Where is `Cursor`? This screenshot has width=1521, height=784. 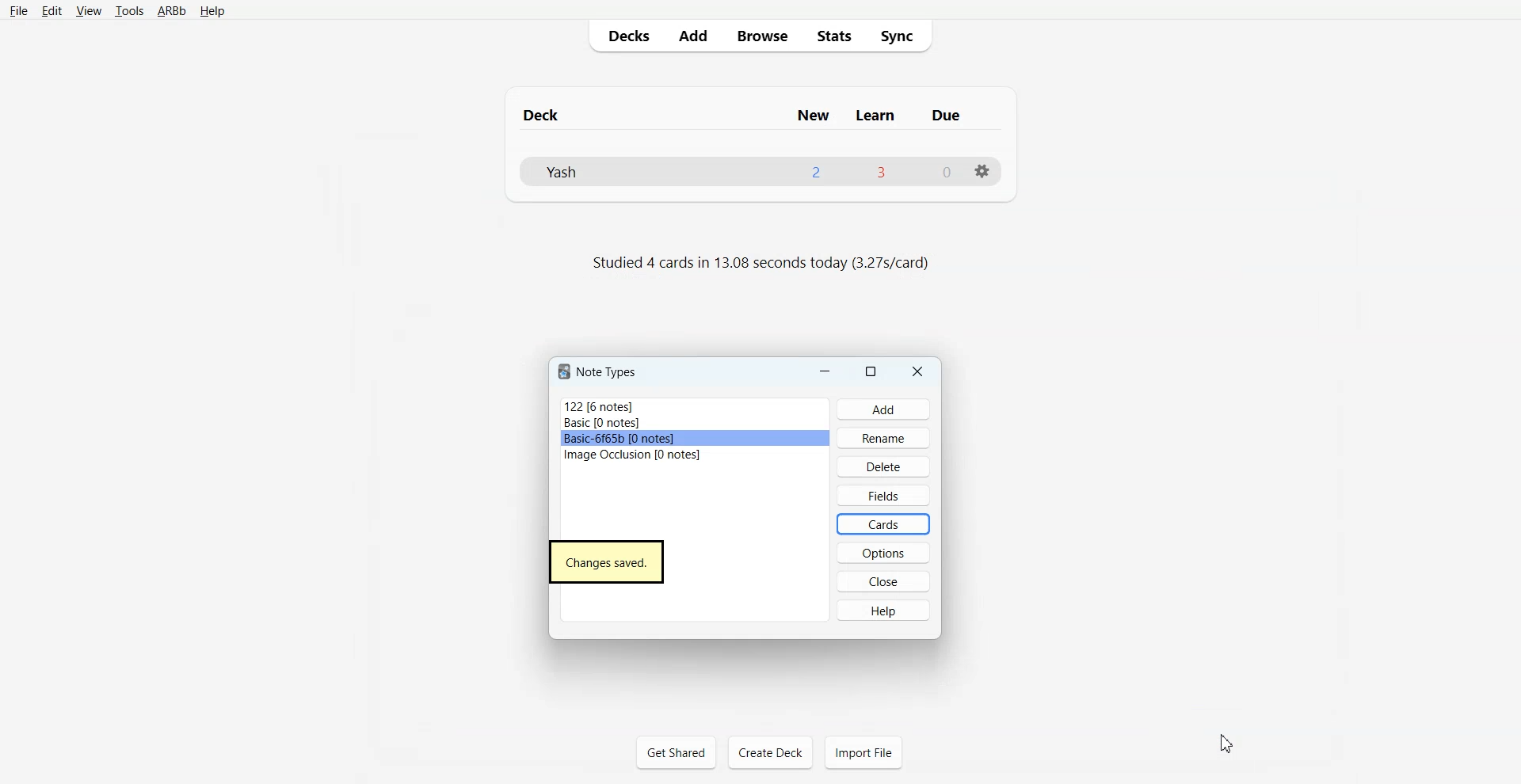 Cursor is located at coordinates (1226, 742).